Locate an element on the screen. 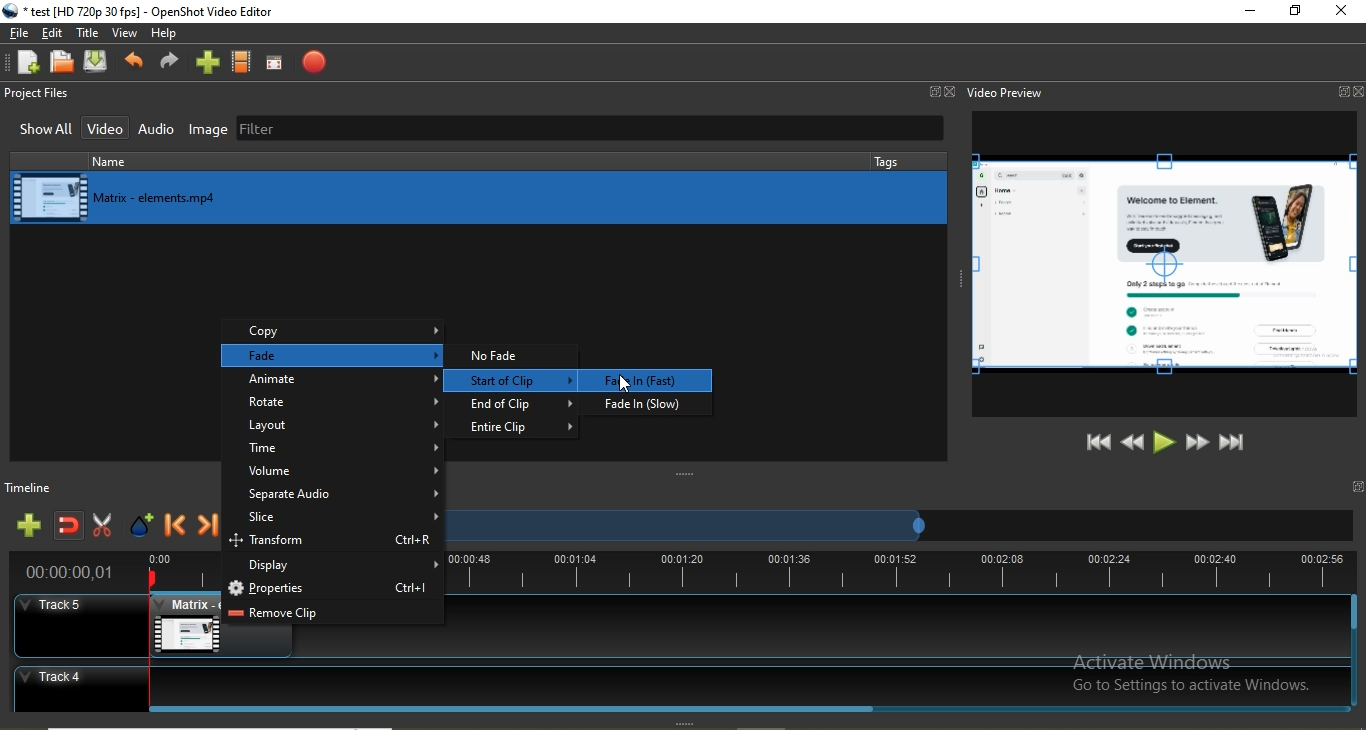 Image resolution: width=1366 pixels, height=730 pixels. Add track is located at coordinates (30, 525).